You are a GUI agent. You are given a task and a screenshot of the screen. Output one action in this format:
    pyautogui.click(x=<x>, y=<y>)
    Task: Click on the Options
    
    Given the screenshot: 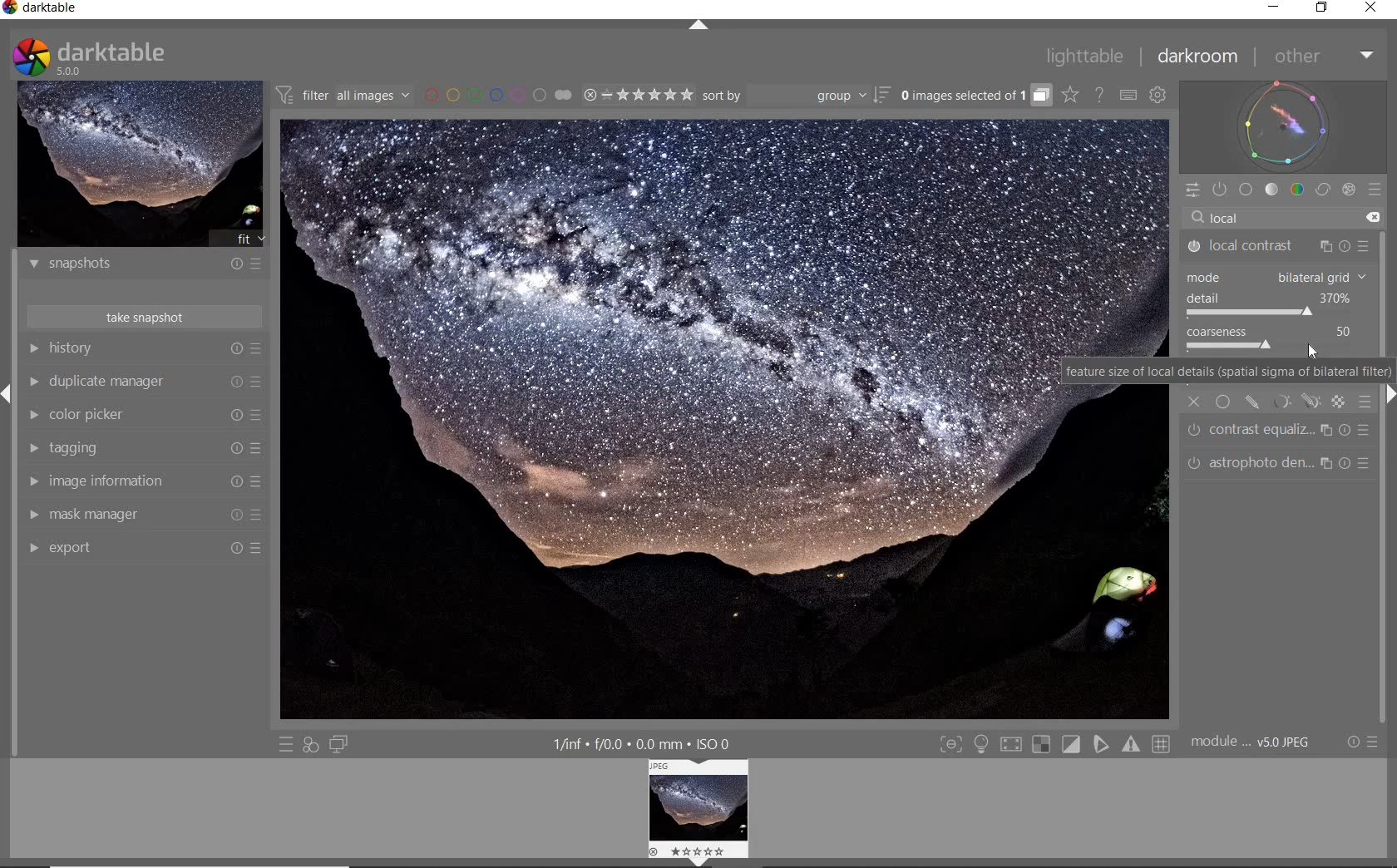 What is the action you would take?
    pyautogui.click(x=1378, y=741)
    